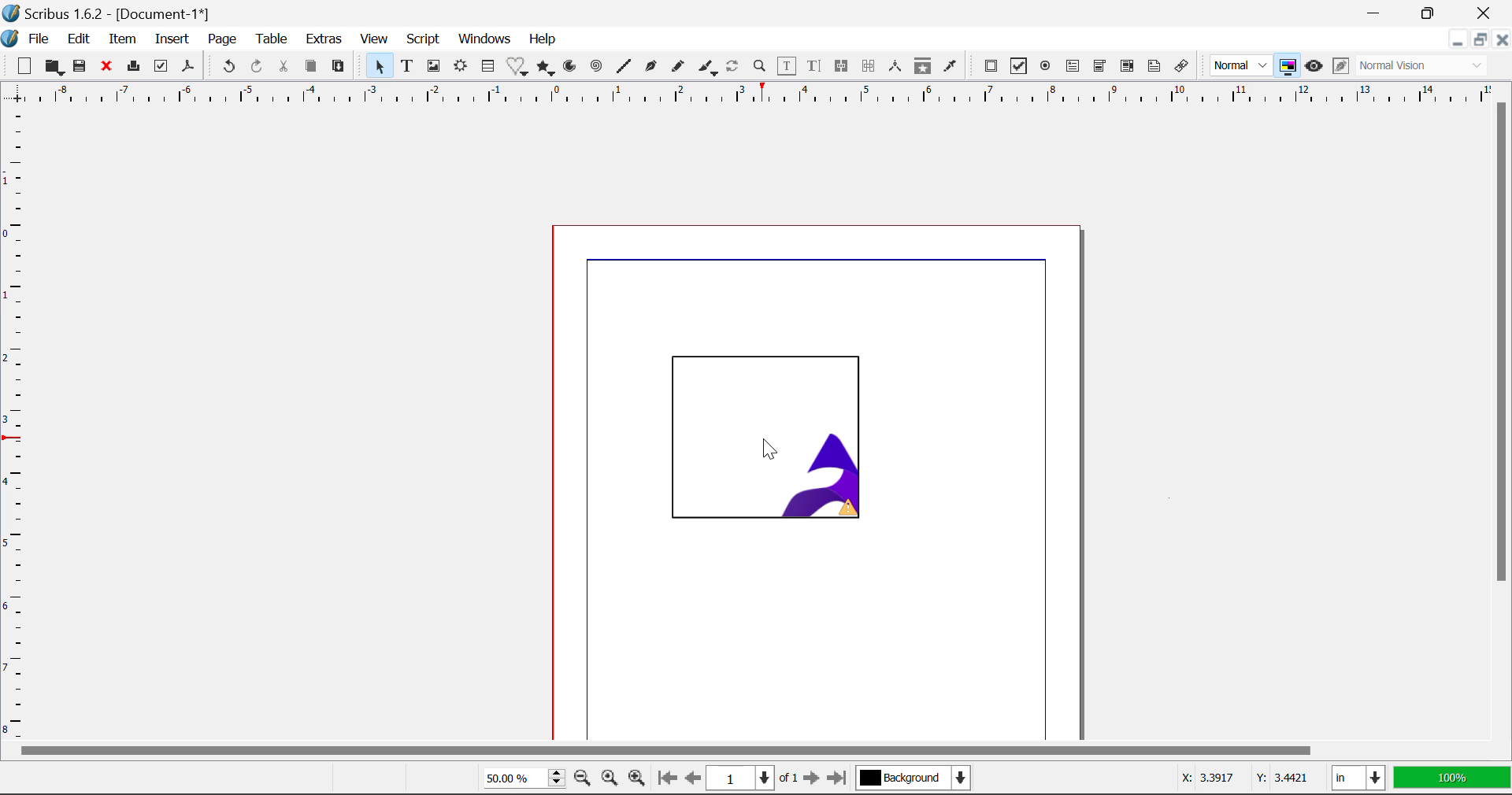 The height and width of the screenshot is (795, 1512). Describe the element at coordinates (407, 66) in the screenshot. I see `Text Frame` at that location.